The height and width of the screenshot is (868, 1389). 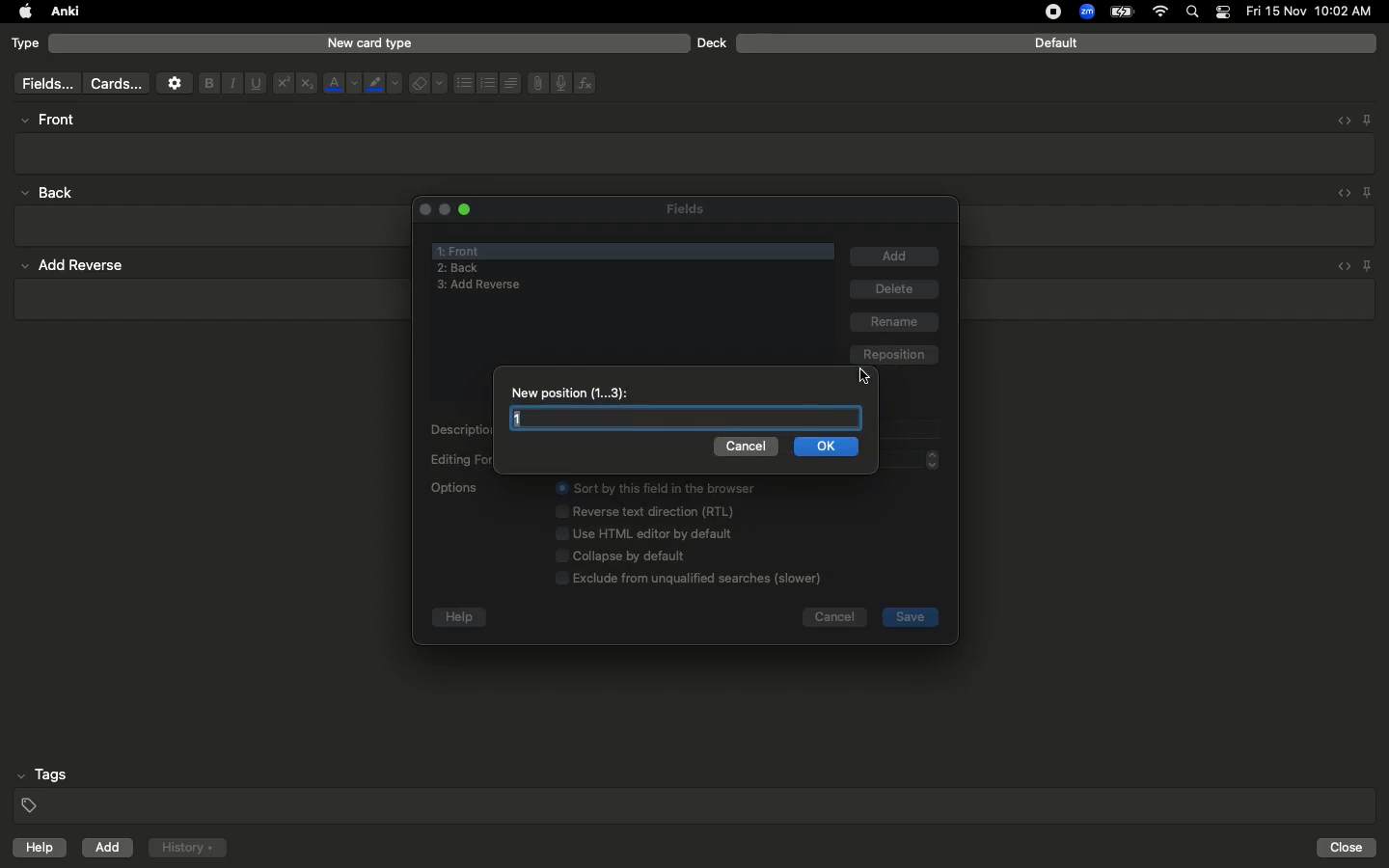 I want to click on Bullet, so click(x=463, y=83).